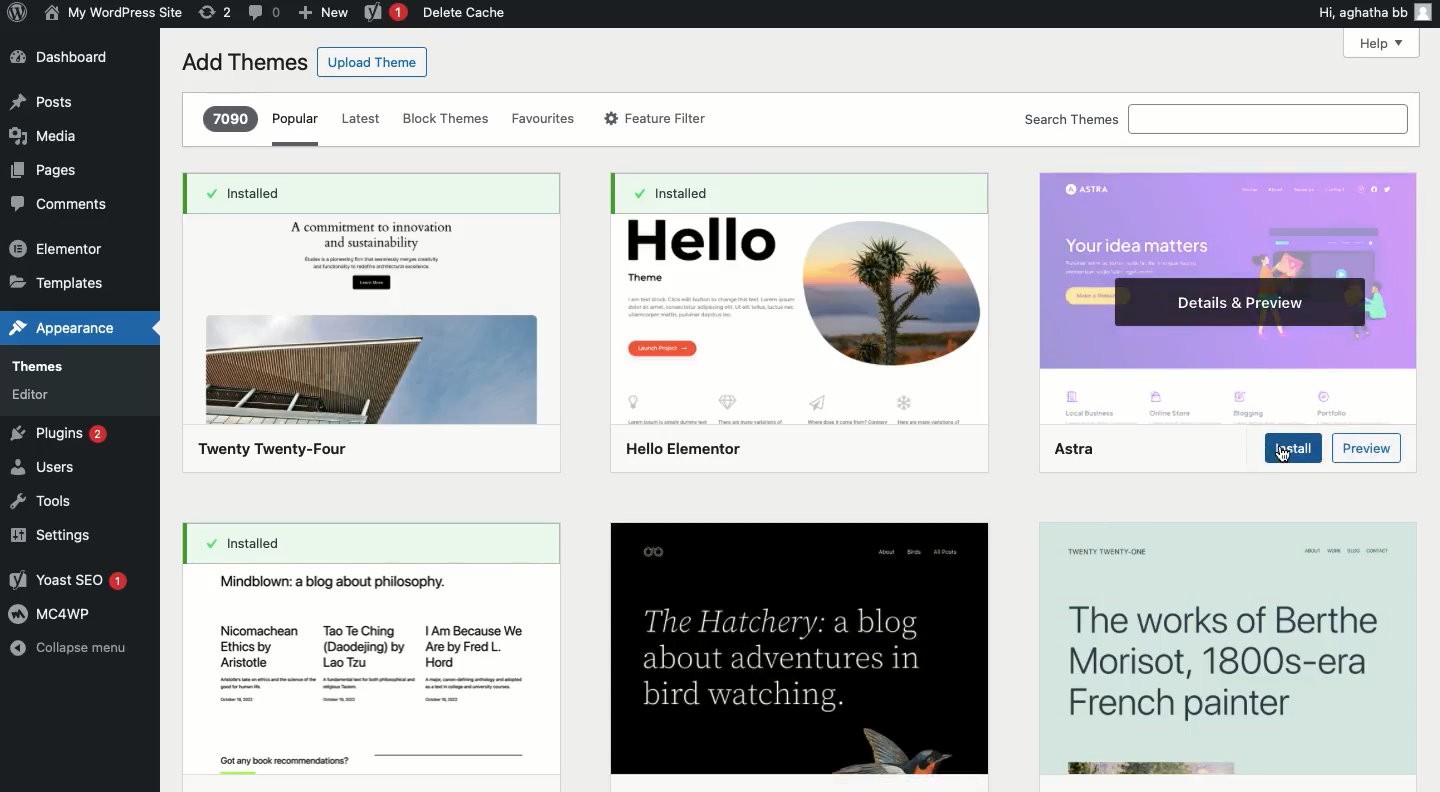 The height and width of the screenshot is (792, 1440). I want to click on Collapse menu, so click(71, 648).